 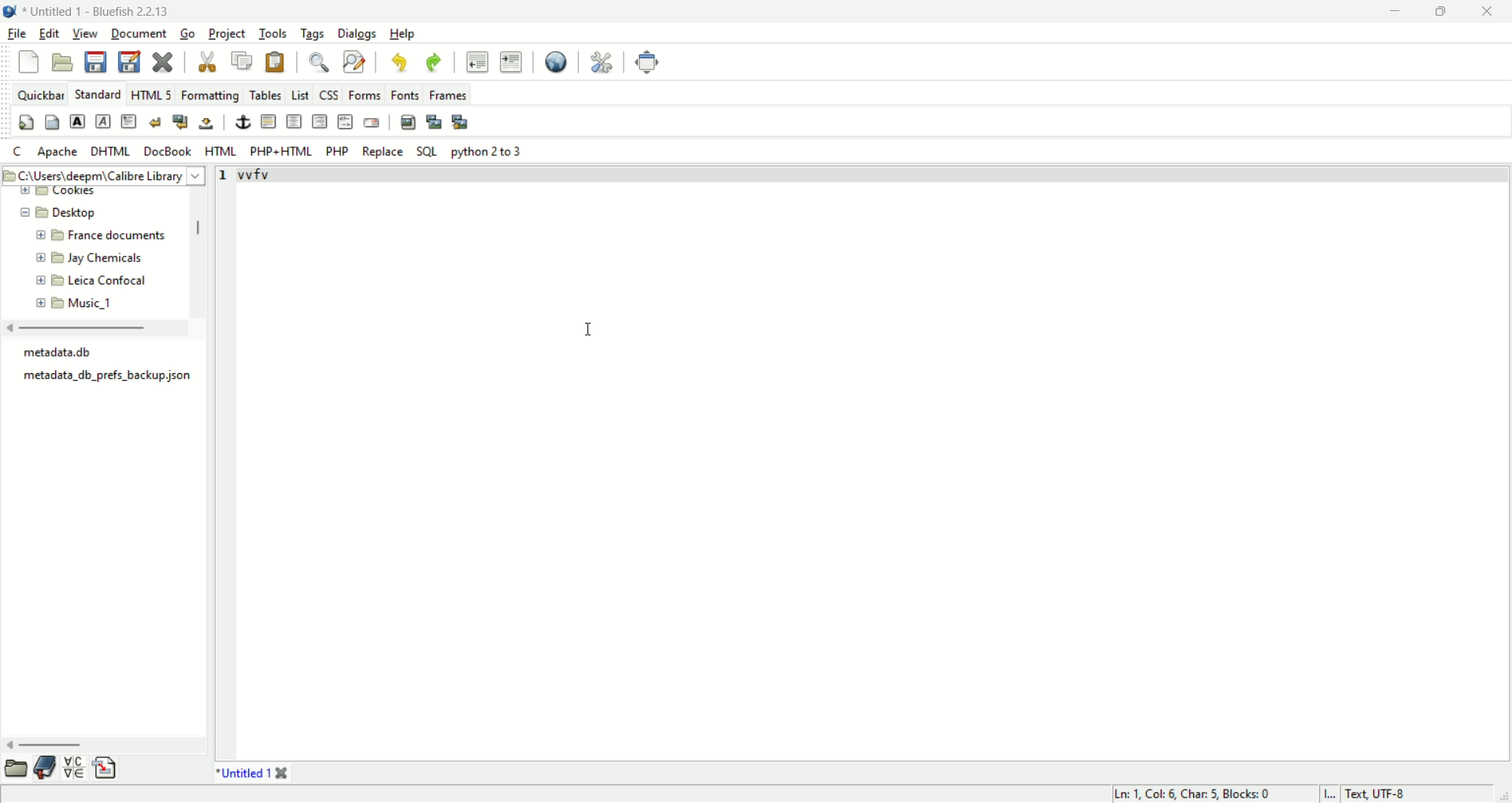 I want to click on C:\Users\deepm\Calibre Library, so click(x=100, y=176).